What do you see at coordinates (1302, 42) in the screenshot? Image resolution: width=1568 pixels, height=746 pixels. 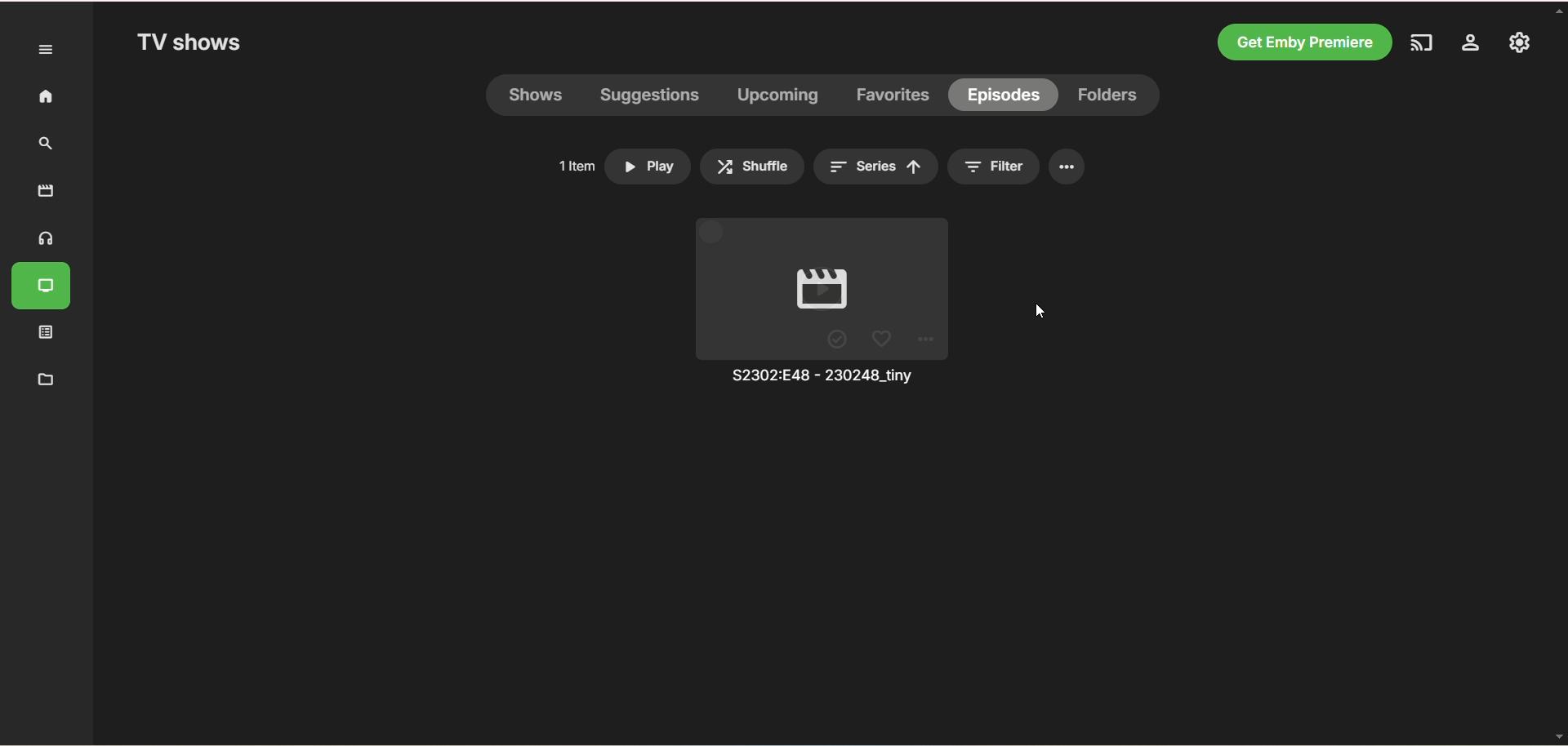 I see `get emby premiere` at bounding box center [1302, 42].